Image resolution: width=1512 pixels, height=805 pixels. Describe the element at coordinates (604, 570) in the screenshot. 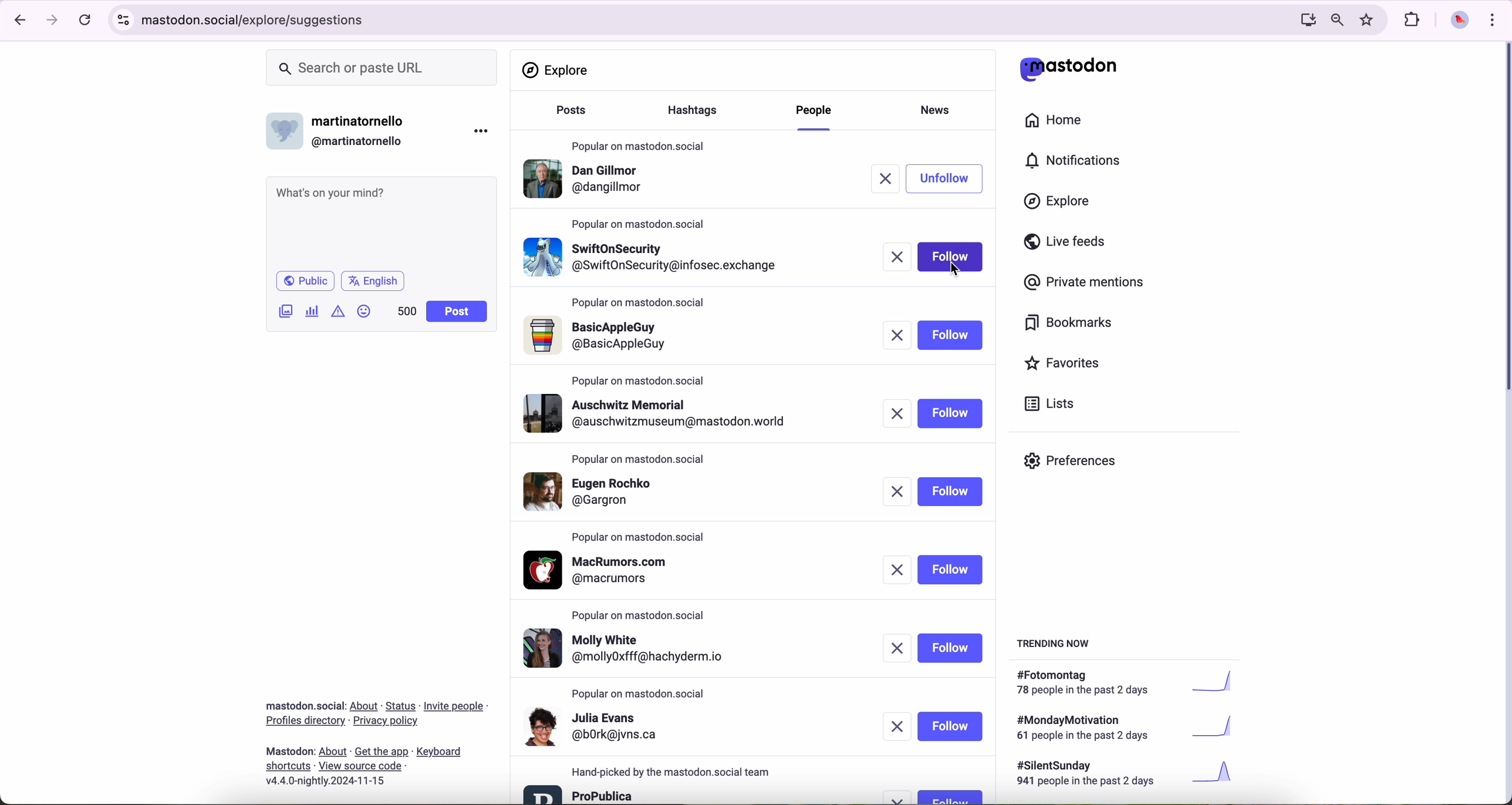

I see `profile` at that location.